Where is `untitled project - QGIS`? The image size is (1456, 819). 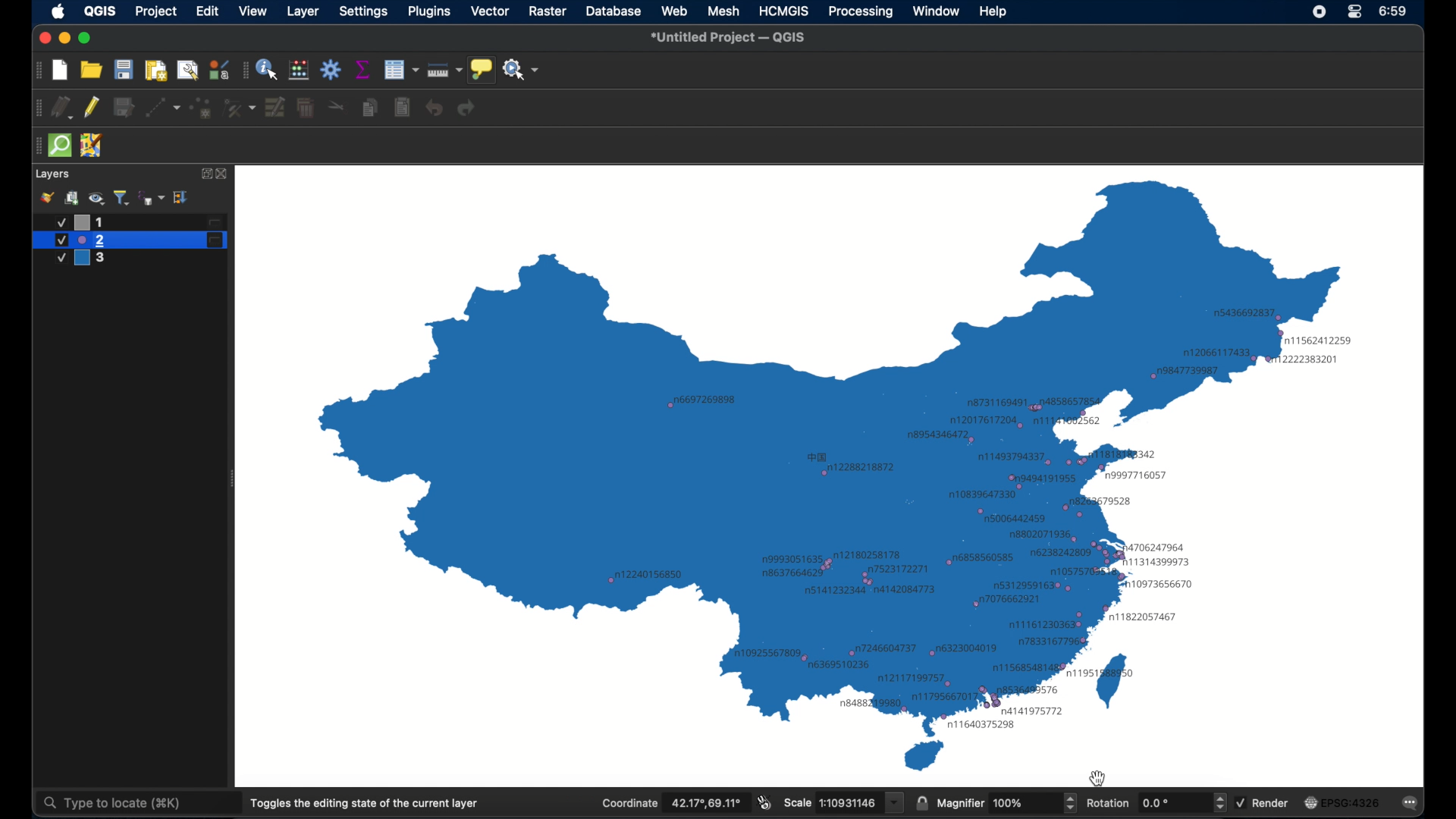
untitled project - QGIS is located at coordinates (728, 38).